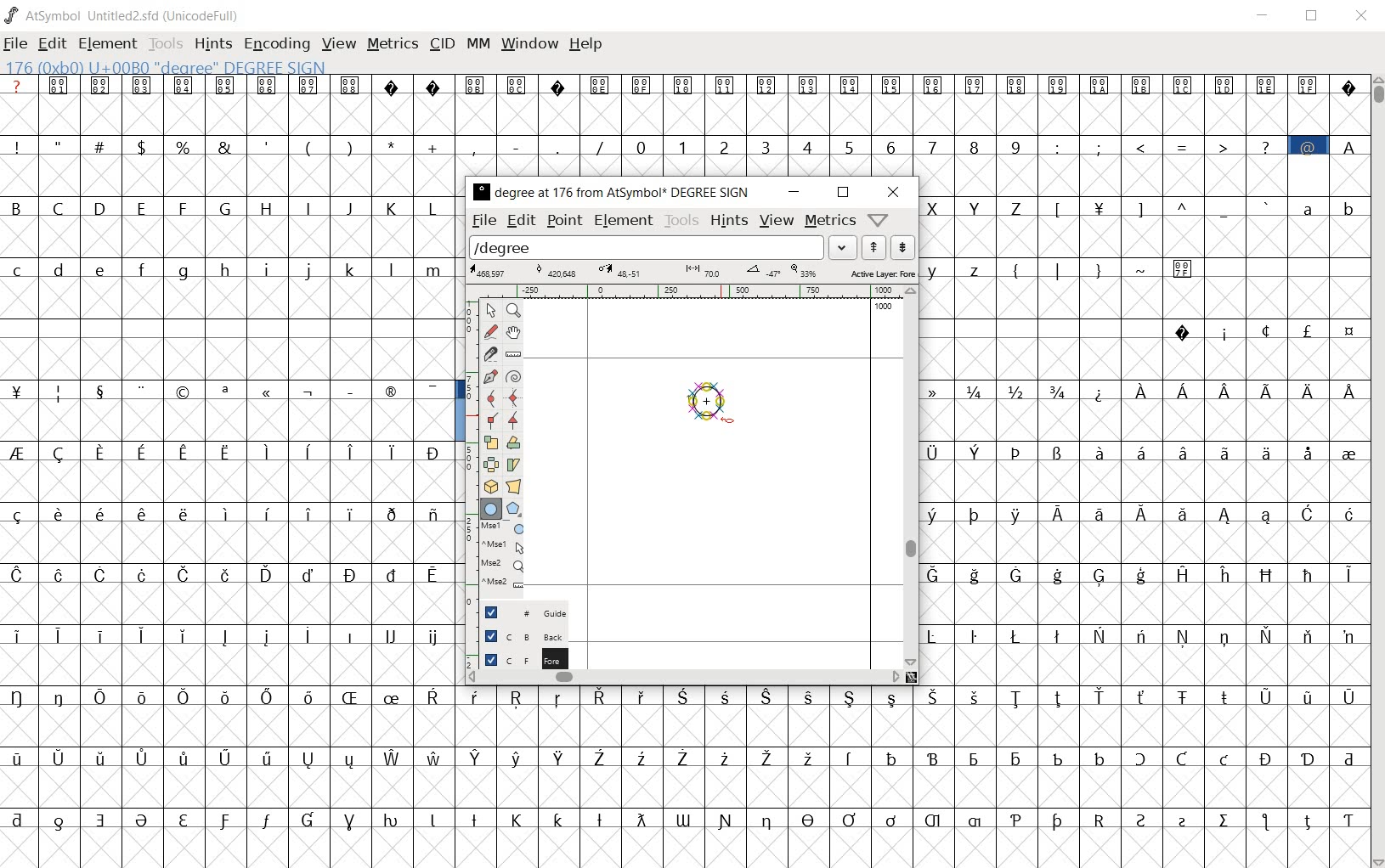 The width and height of the screenshot is (1385, 868). Describe the element at coordinates (1144, 633) in the screenshot. I see `special letters` at that location.